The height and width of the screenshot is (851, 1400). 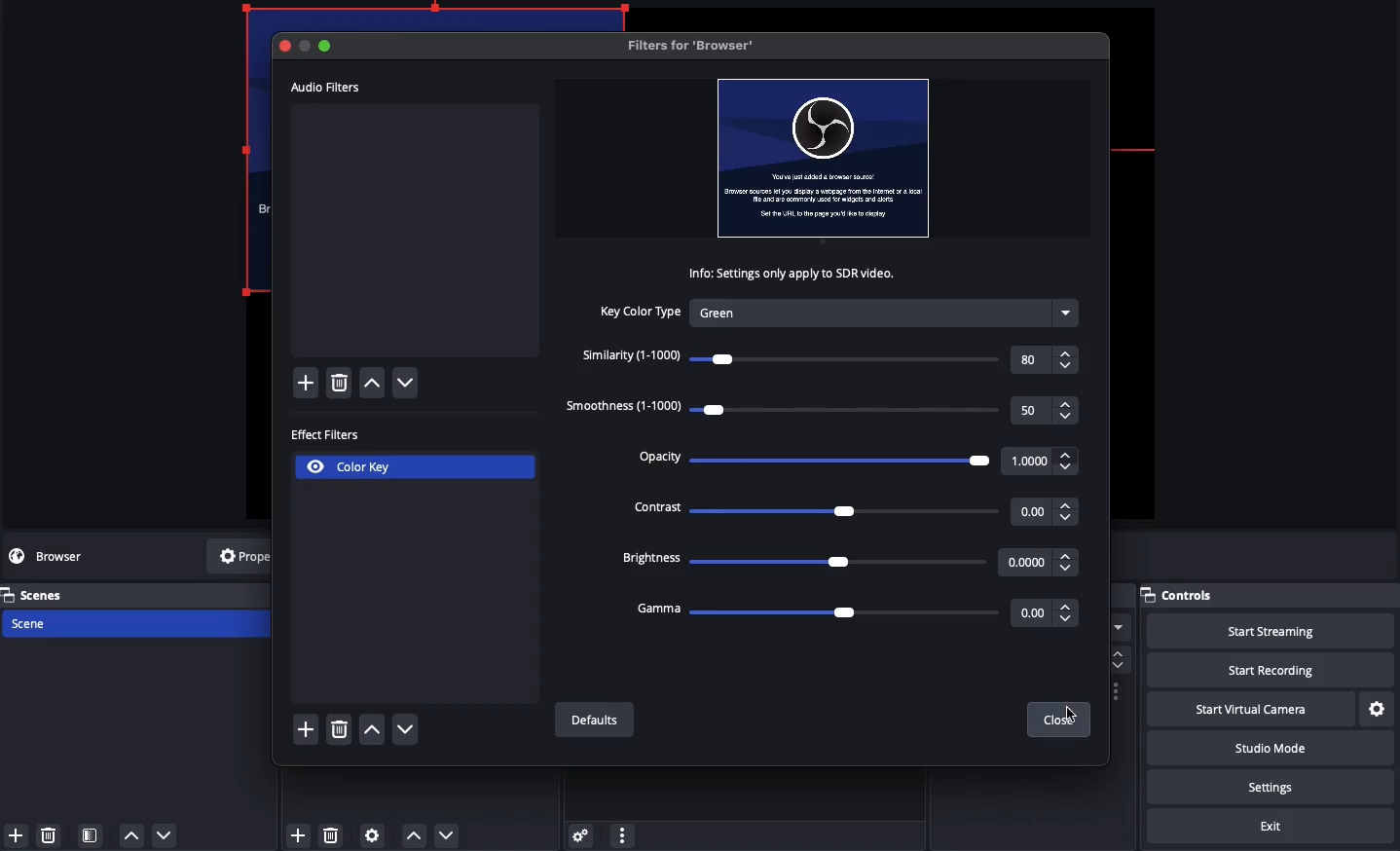 I want to click on Move up, so click(x=413, y=837).